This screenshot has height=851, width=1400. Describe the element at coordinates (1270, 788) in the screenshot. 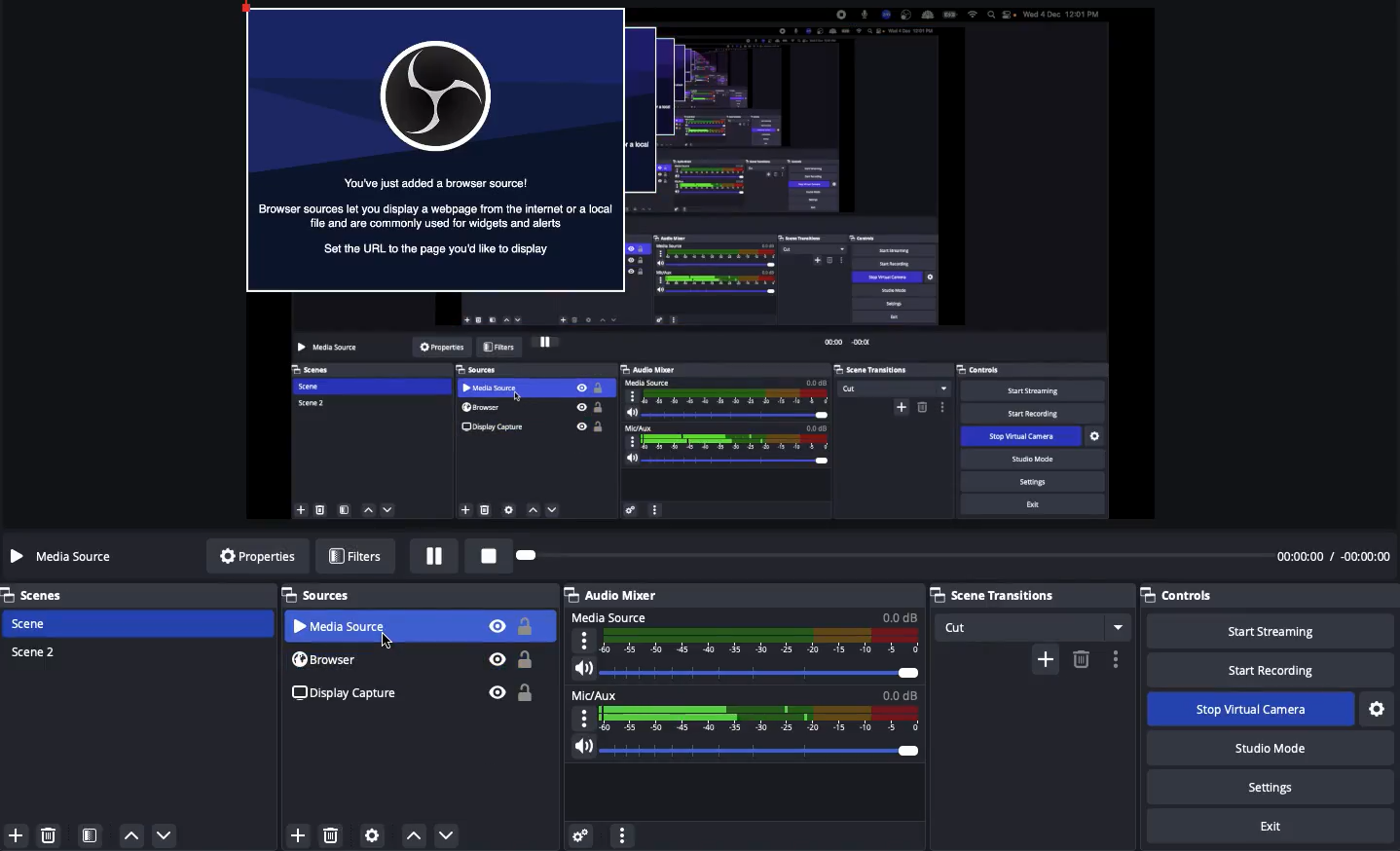

I see `Settings` at that location.